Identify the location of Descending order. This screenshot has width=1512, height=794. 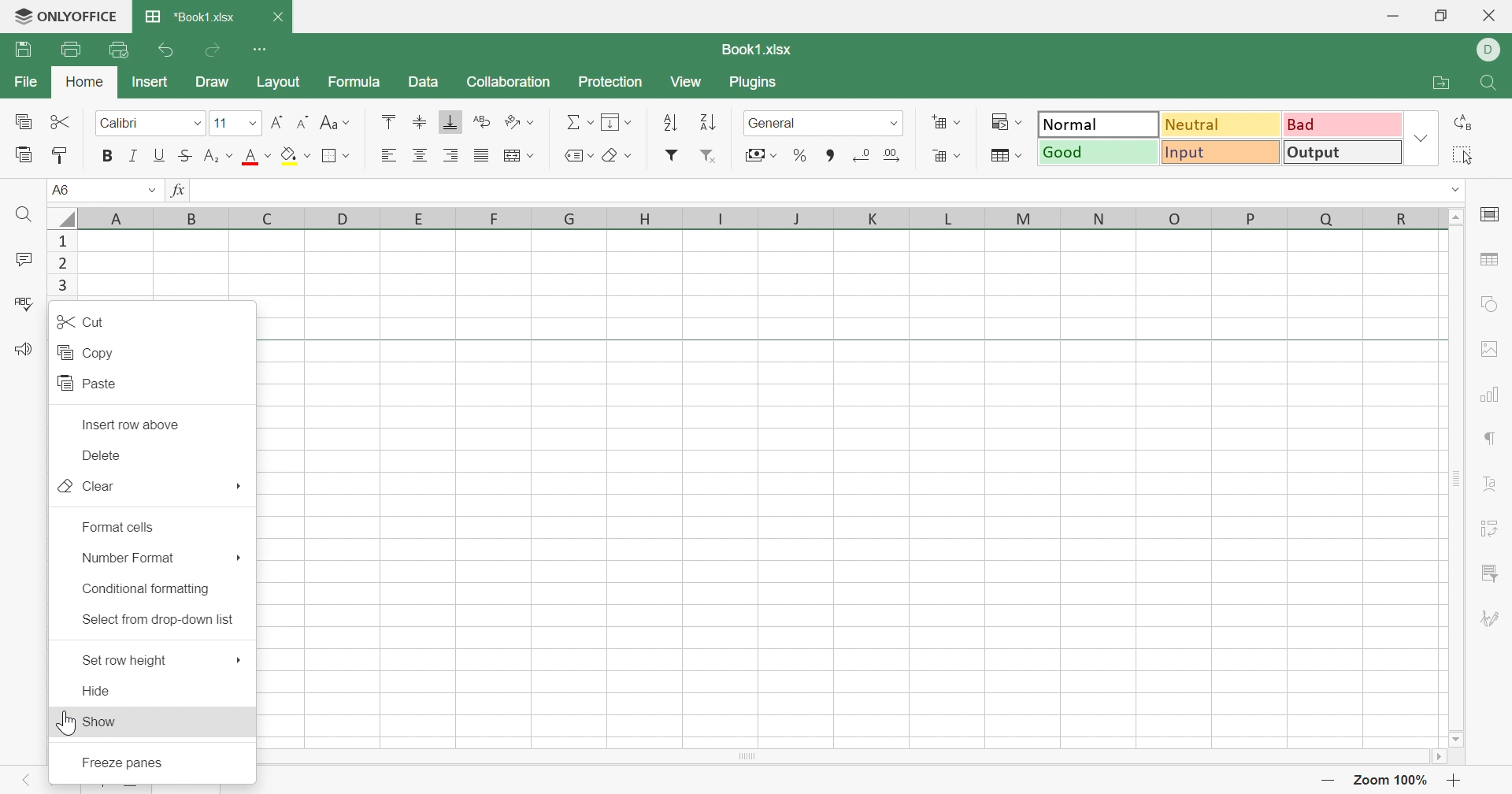
(710, 121).